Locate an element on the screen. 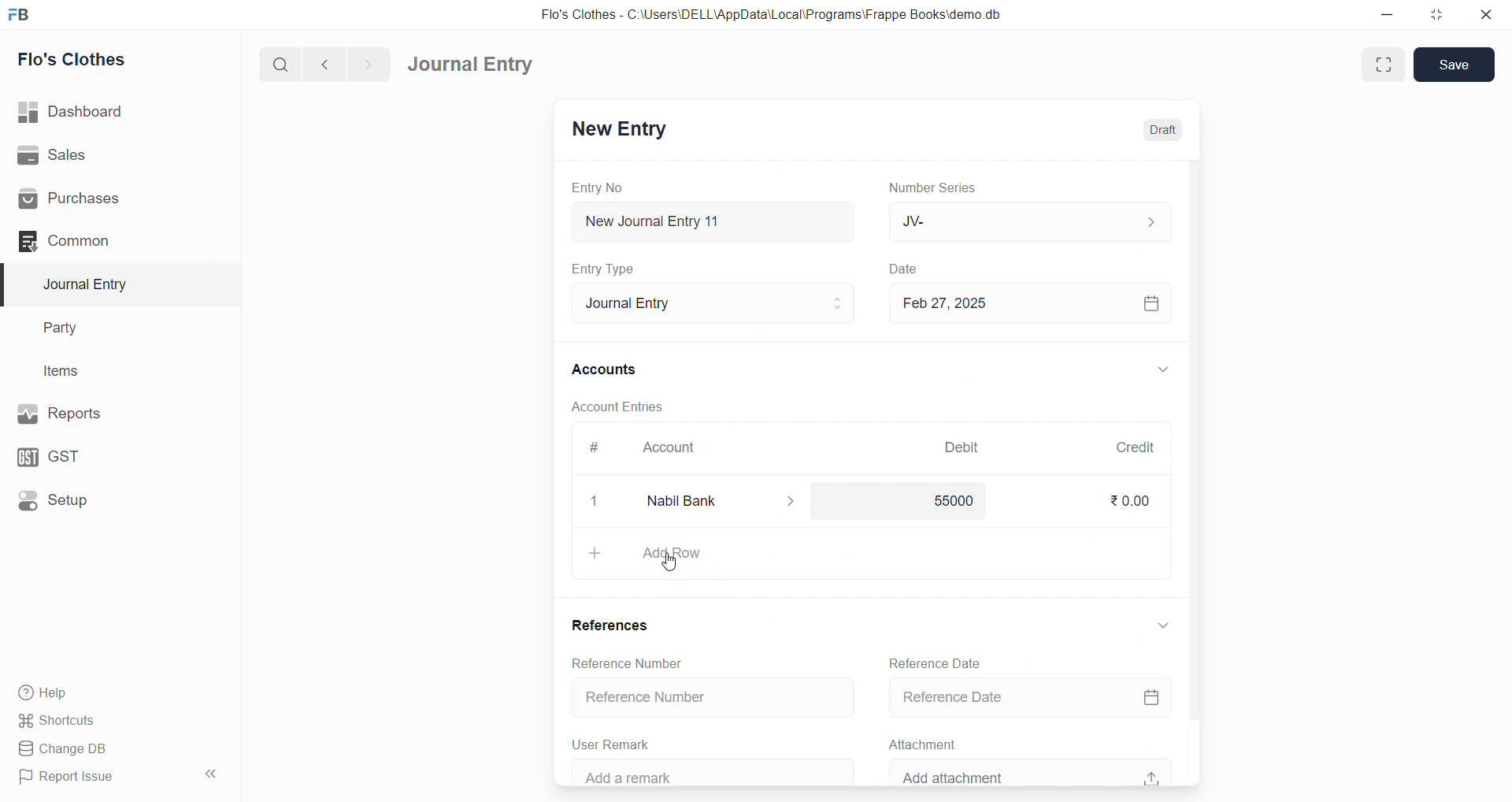  Journal Entry is located at coordinates (471, 64).